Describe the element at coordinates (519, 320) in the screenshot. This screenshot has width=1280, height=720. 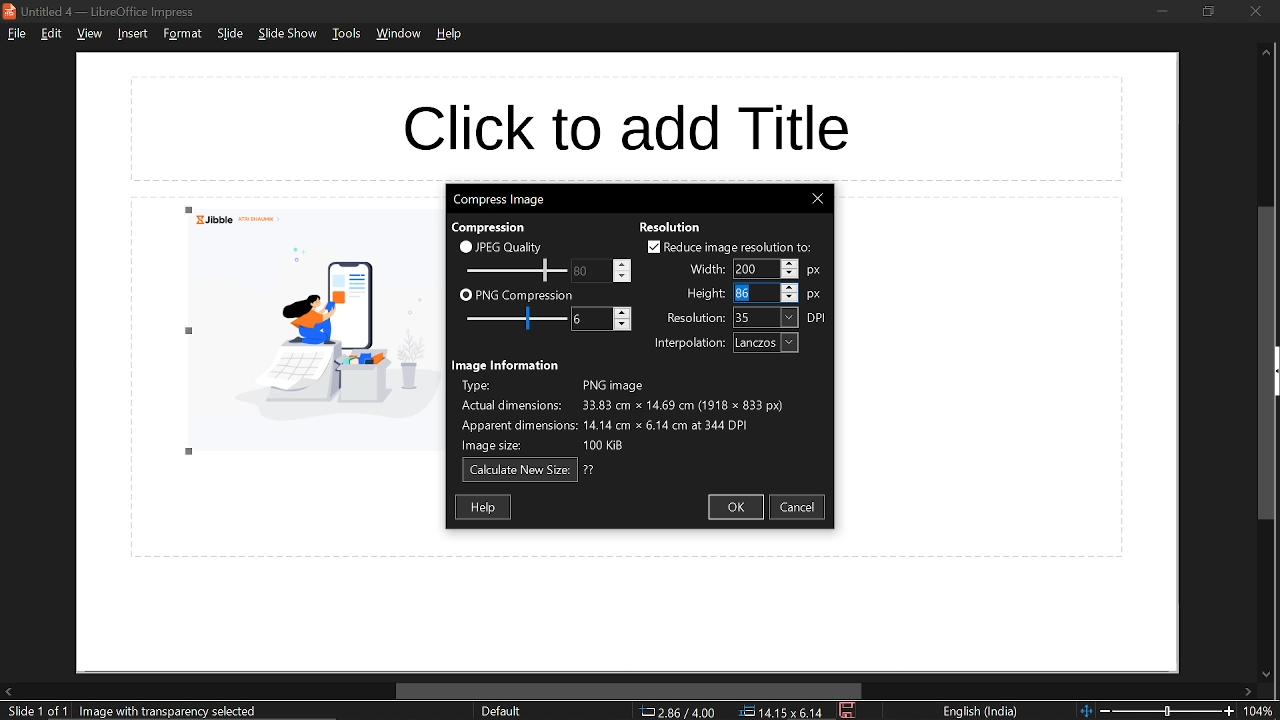
I see `JPEG quality scale` at that location.